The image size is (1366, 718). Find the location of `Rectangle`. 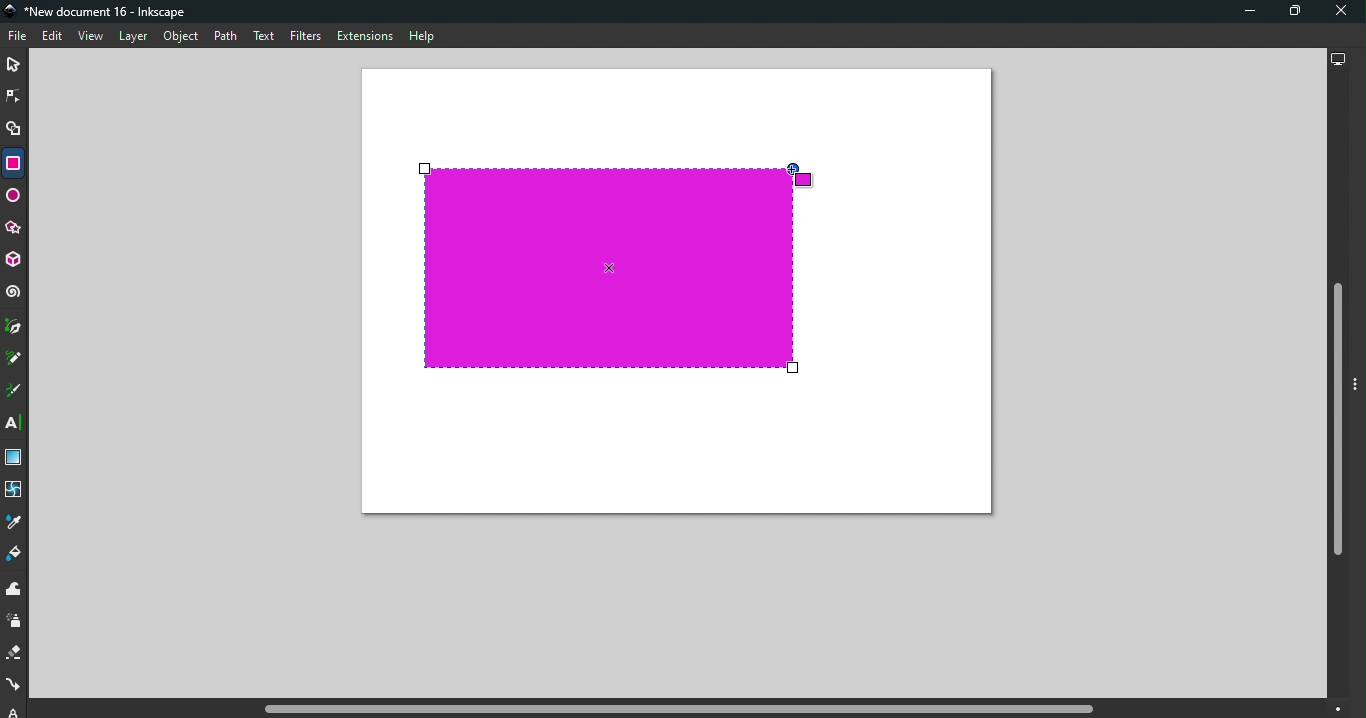

Rectangle is located at coordinates (609, 270).